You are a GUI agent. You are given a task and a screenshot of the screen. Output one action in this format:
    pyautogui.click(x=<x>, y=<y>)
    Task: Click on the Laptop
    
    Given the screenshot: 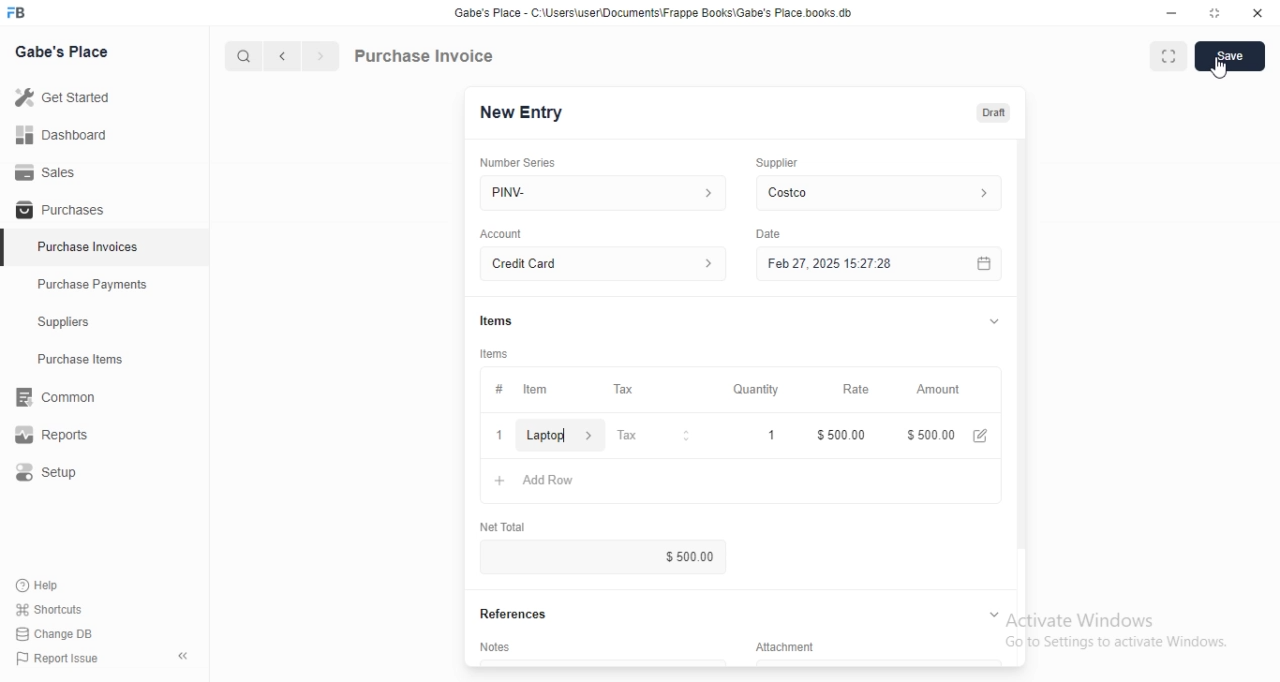 What is the action you would take?
    pyautogui.click(x=559, y=435)
    